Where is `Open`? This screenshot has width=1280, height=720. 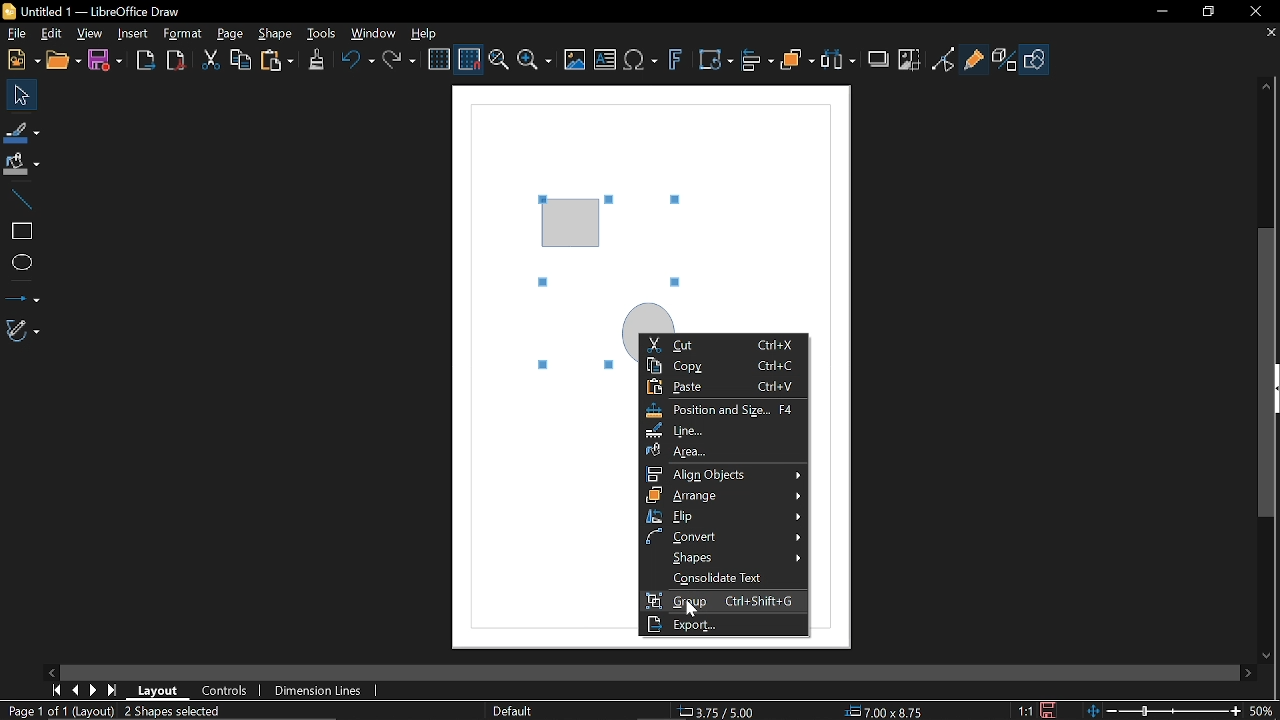
Open is located at coordinates (63, 61).